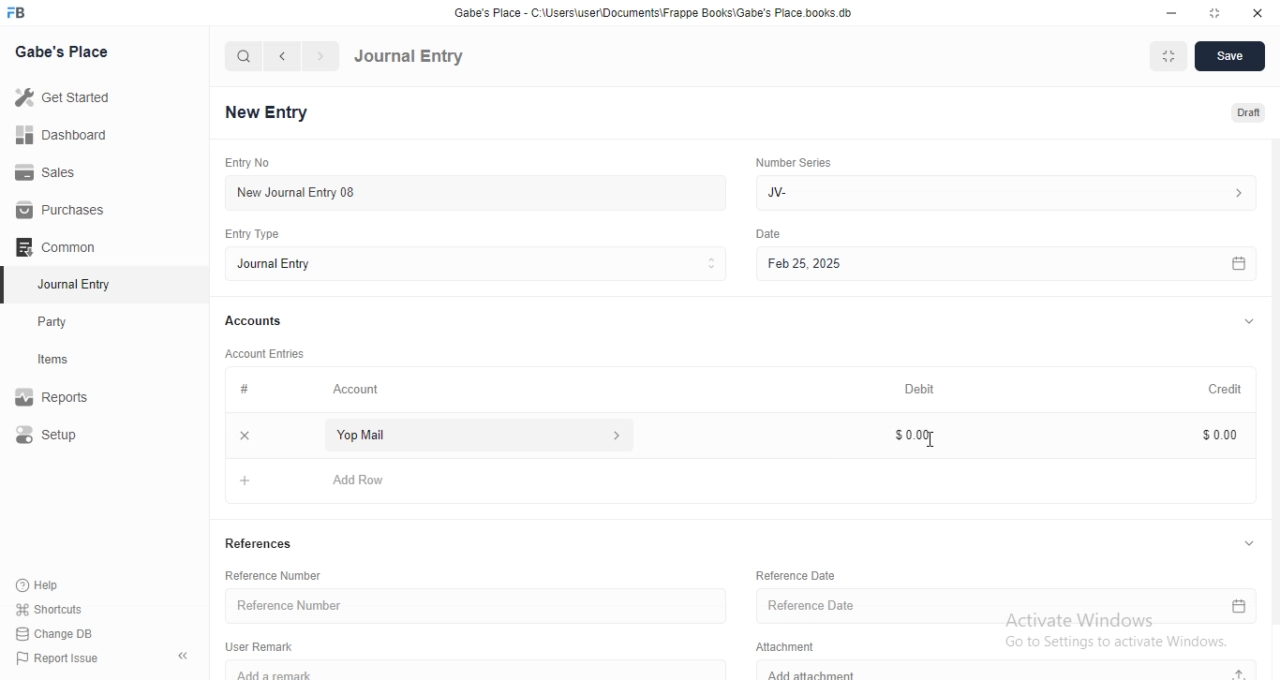  What do you see at coordinates (58, 210) in the screenshot?
I see `Purchases` at bounding box center [58, 210].